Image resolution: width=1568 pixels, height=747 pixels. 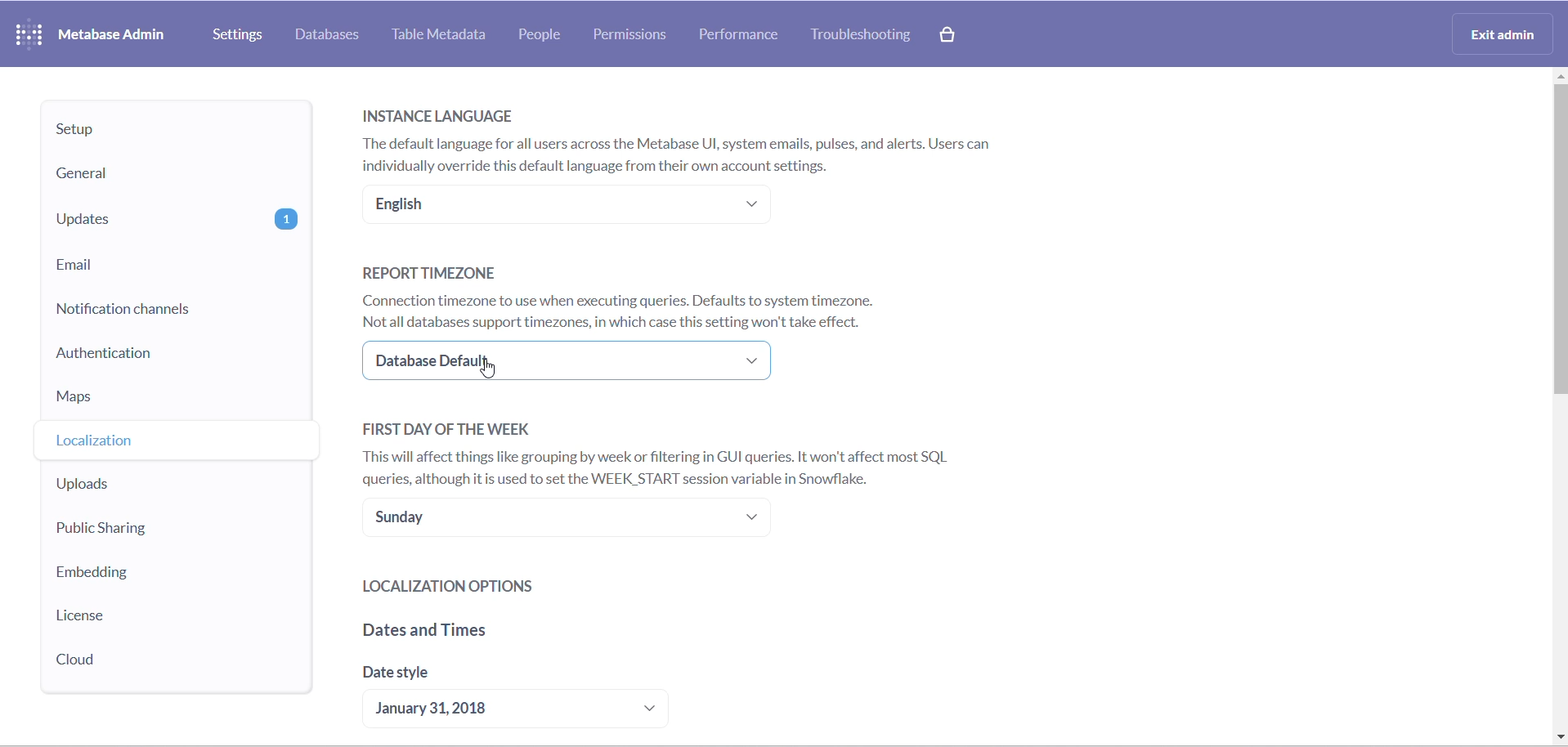 What do you see at coordinates (513, 634) in the screenshot?
I see `dates and times` at bounding box center [513, 634].